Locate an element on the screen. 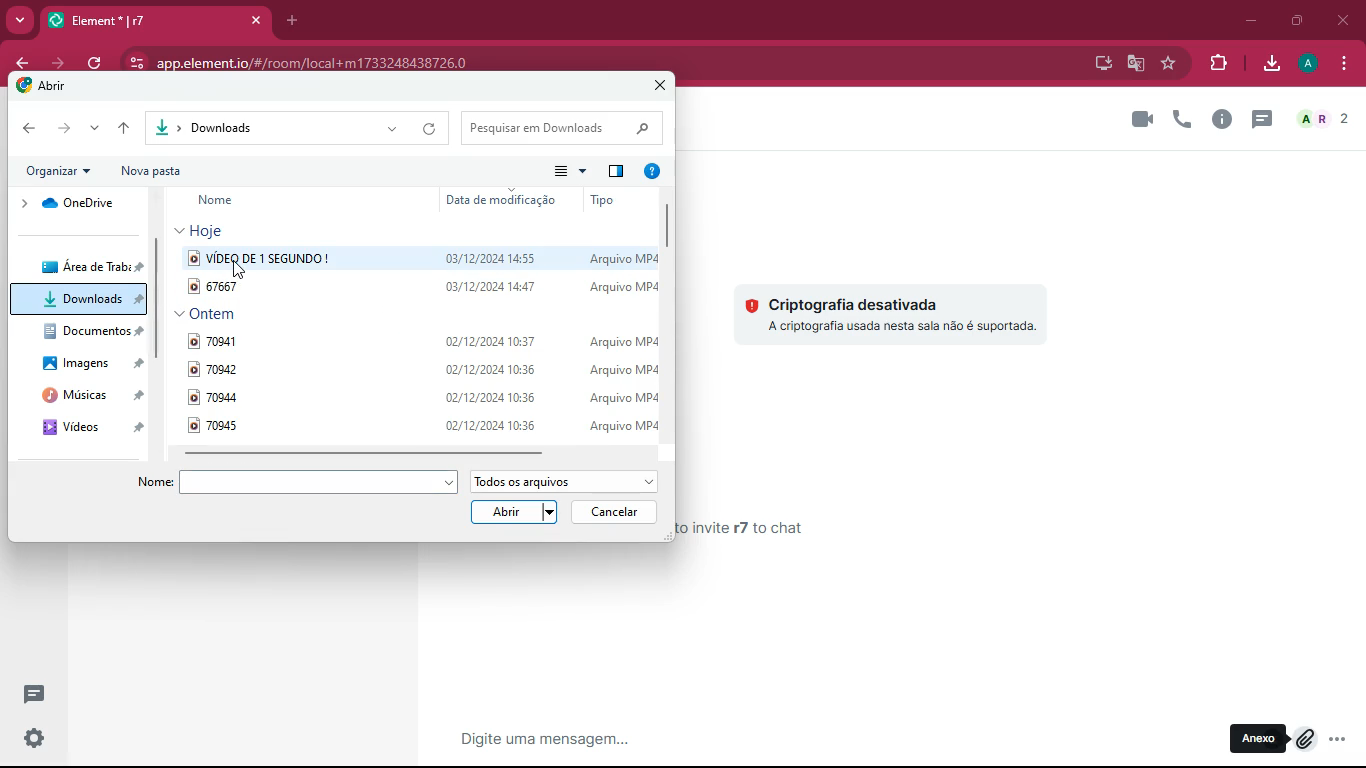  horizontal scroll bar is located at coordinates (367, 451).